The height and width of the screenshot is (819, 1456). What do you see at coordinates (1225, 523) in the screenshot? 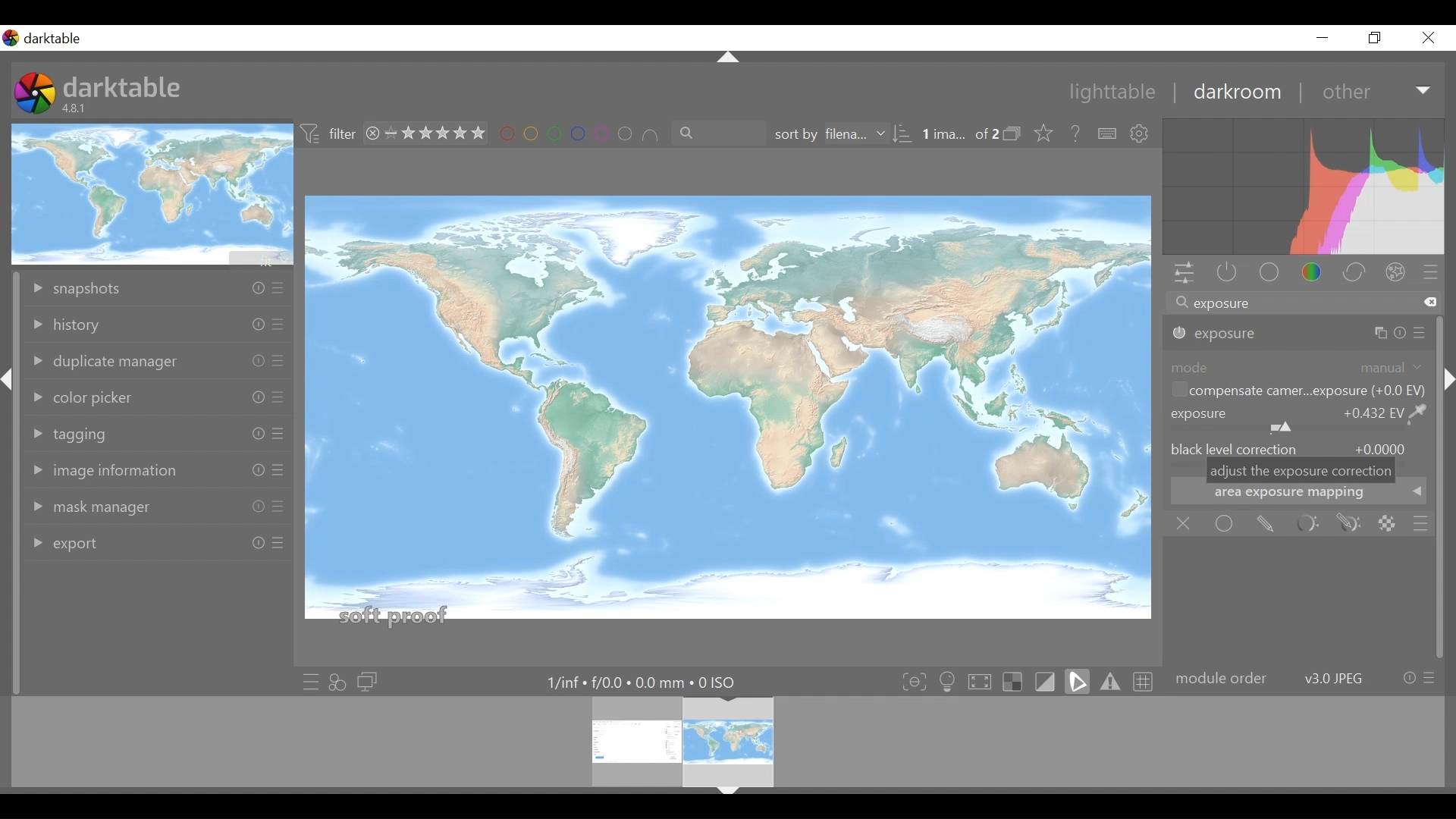
I see `uniformly` at bounding box center [1225, 523].